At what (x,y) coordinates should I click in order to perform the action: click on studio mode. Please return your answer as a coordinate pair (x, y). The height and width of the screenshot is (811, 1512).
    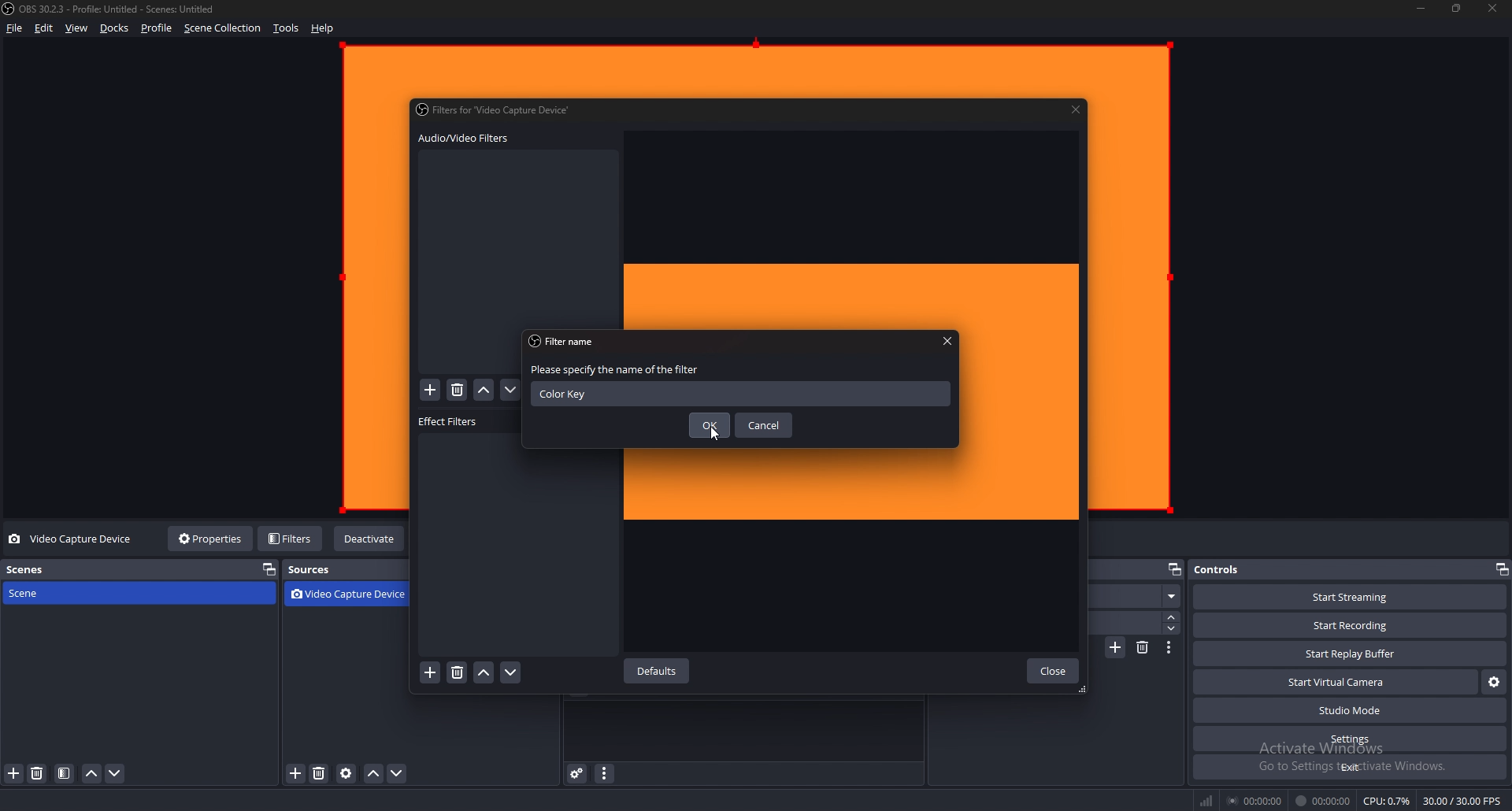
    Looking at the image, I should click on (1348, 711).